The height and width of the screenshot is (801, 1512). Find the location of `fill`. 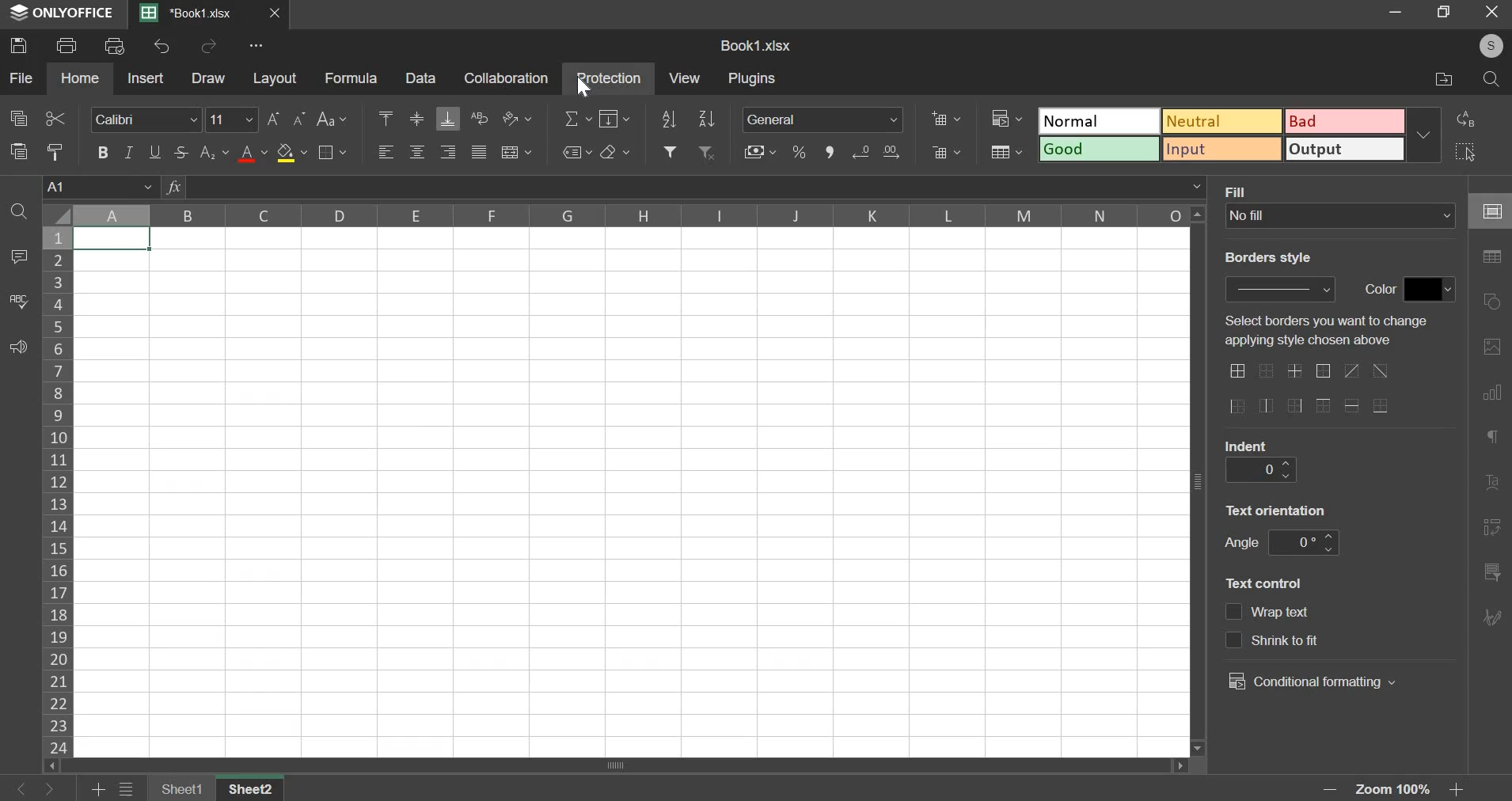

fill is located at coordinates (614, 120).